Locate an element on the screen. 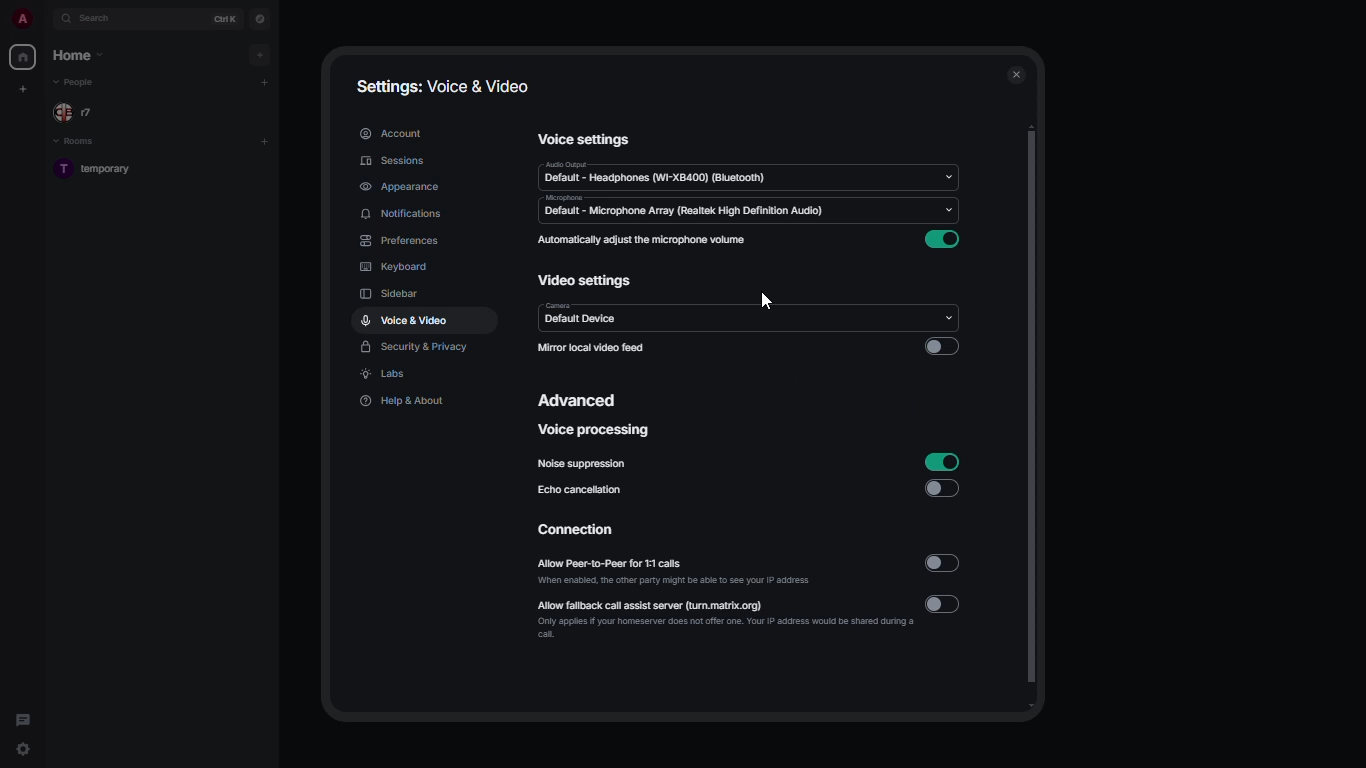  preferences is located at coordinates (399, 240).